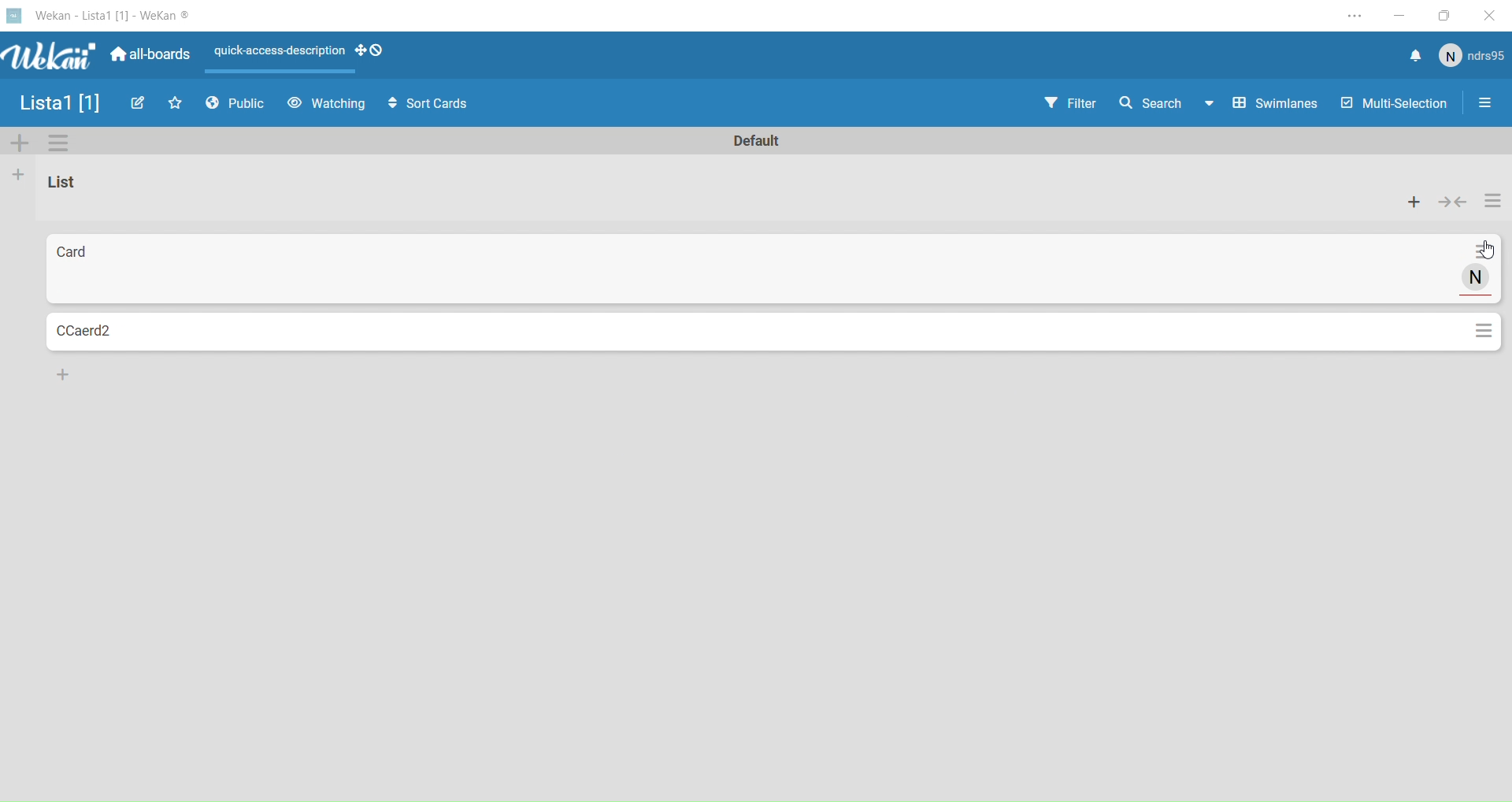 This screenshot has width=1512, height=802. What do you see at coordinates (62, 142) in the screenshot?
I see `Settings` at bounding box center [62, 142].